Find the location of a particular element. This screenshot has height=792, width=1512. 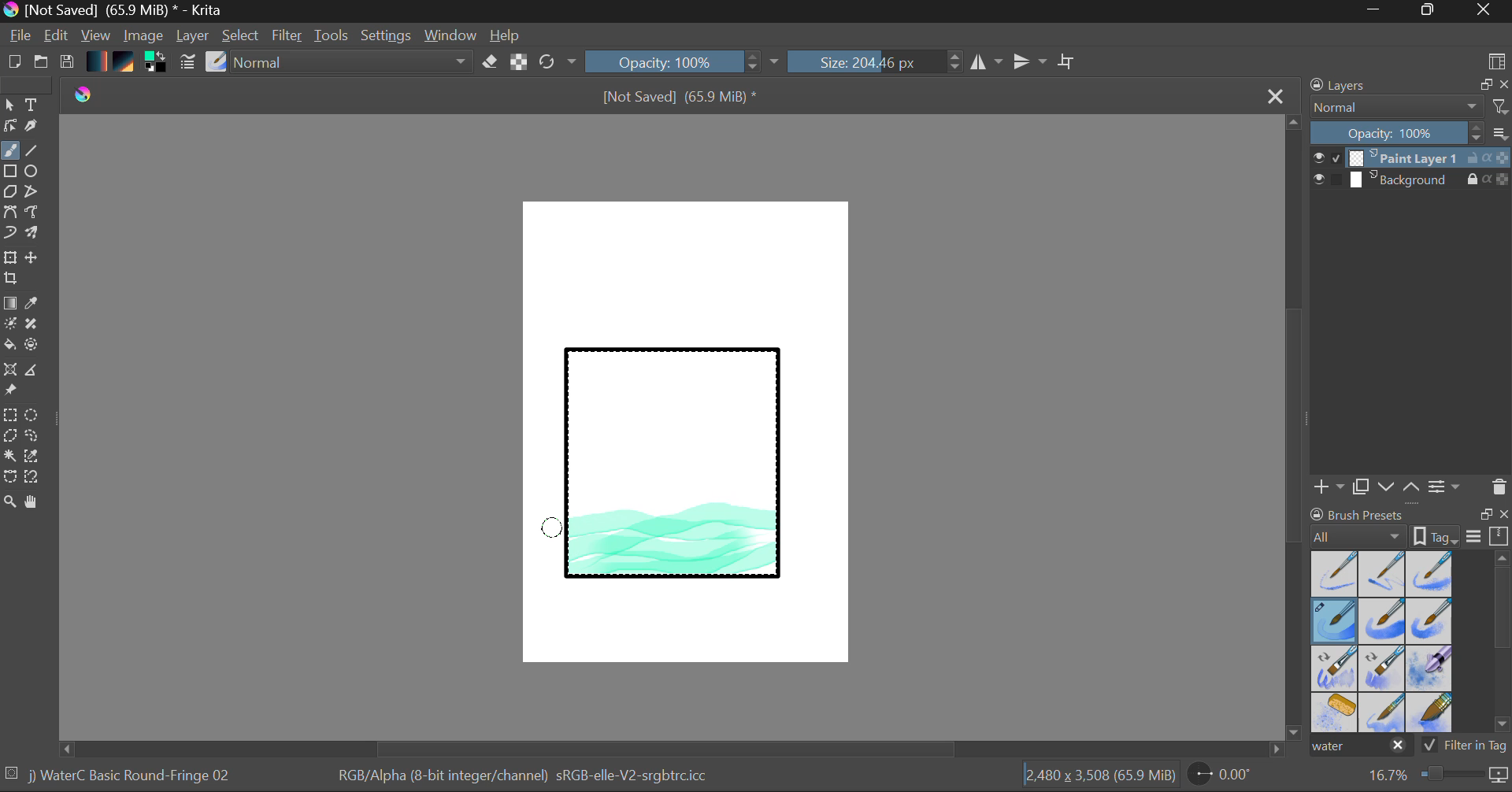

Continuous Selection is located at coordinates (9, 455).